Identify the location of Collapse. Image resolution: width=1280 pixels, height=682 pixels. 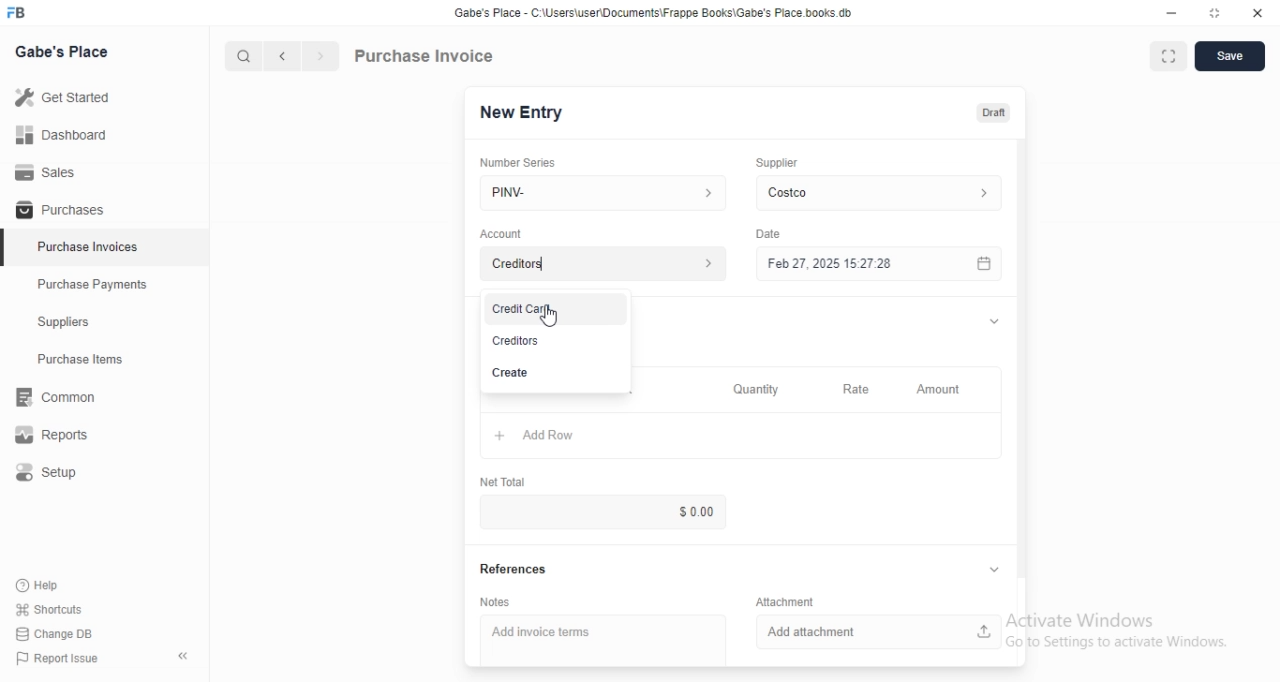
(183, 656).